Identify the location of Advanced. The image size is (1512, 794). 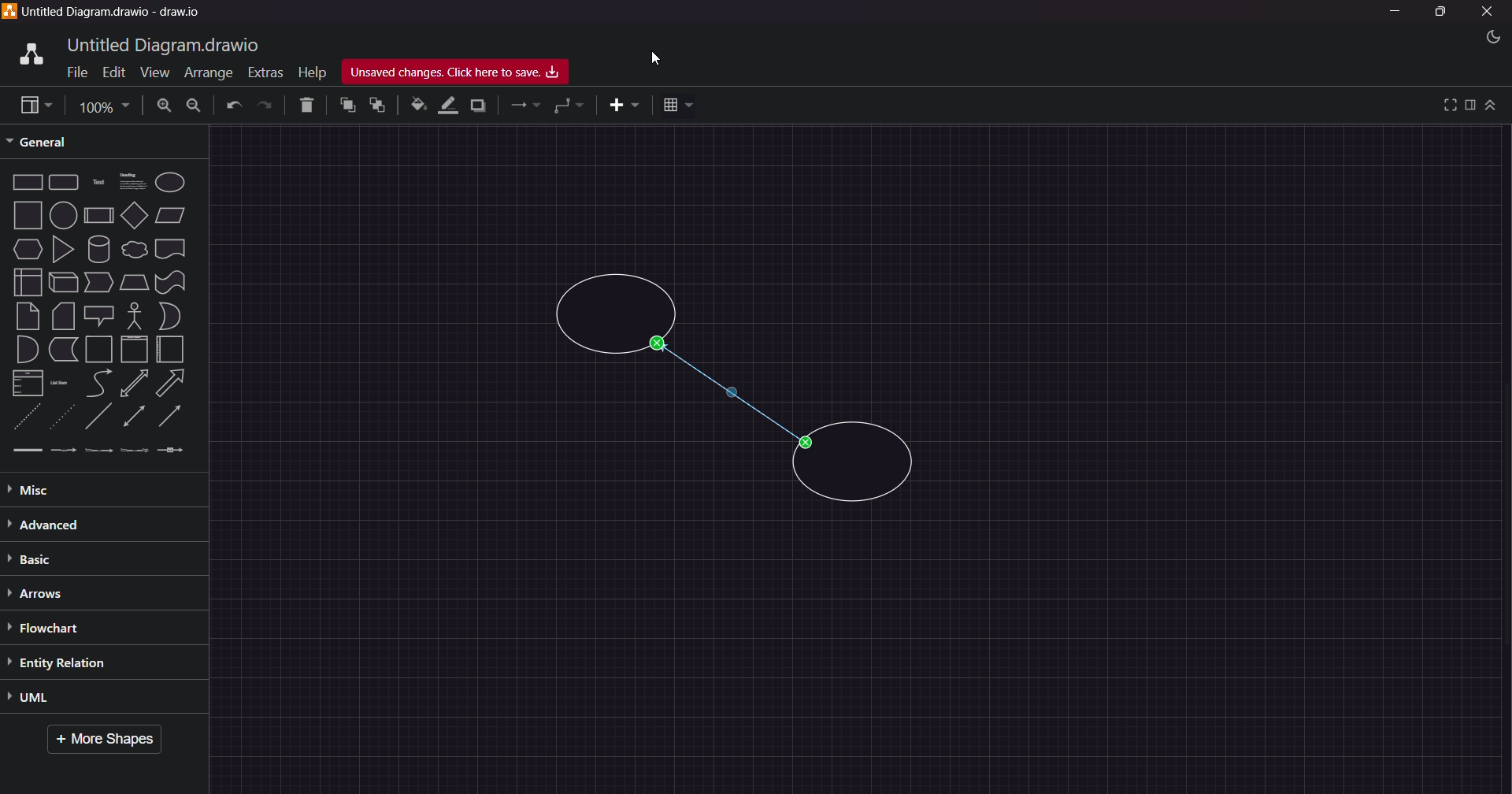
(79, 524).